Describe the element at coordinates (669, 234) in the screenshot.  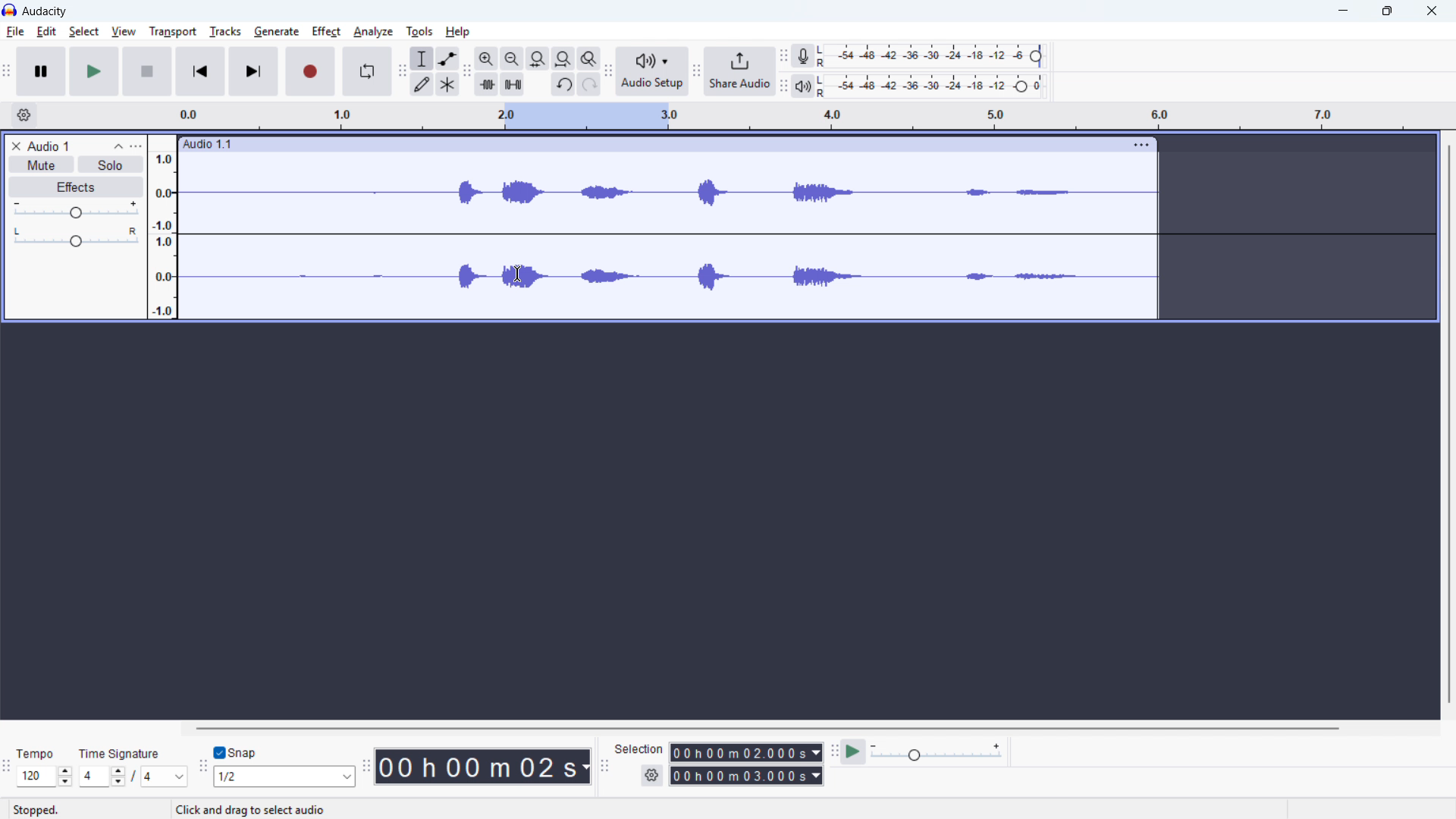
I see `Track waveform` at that location.